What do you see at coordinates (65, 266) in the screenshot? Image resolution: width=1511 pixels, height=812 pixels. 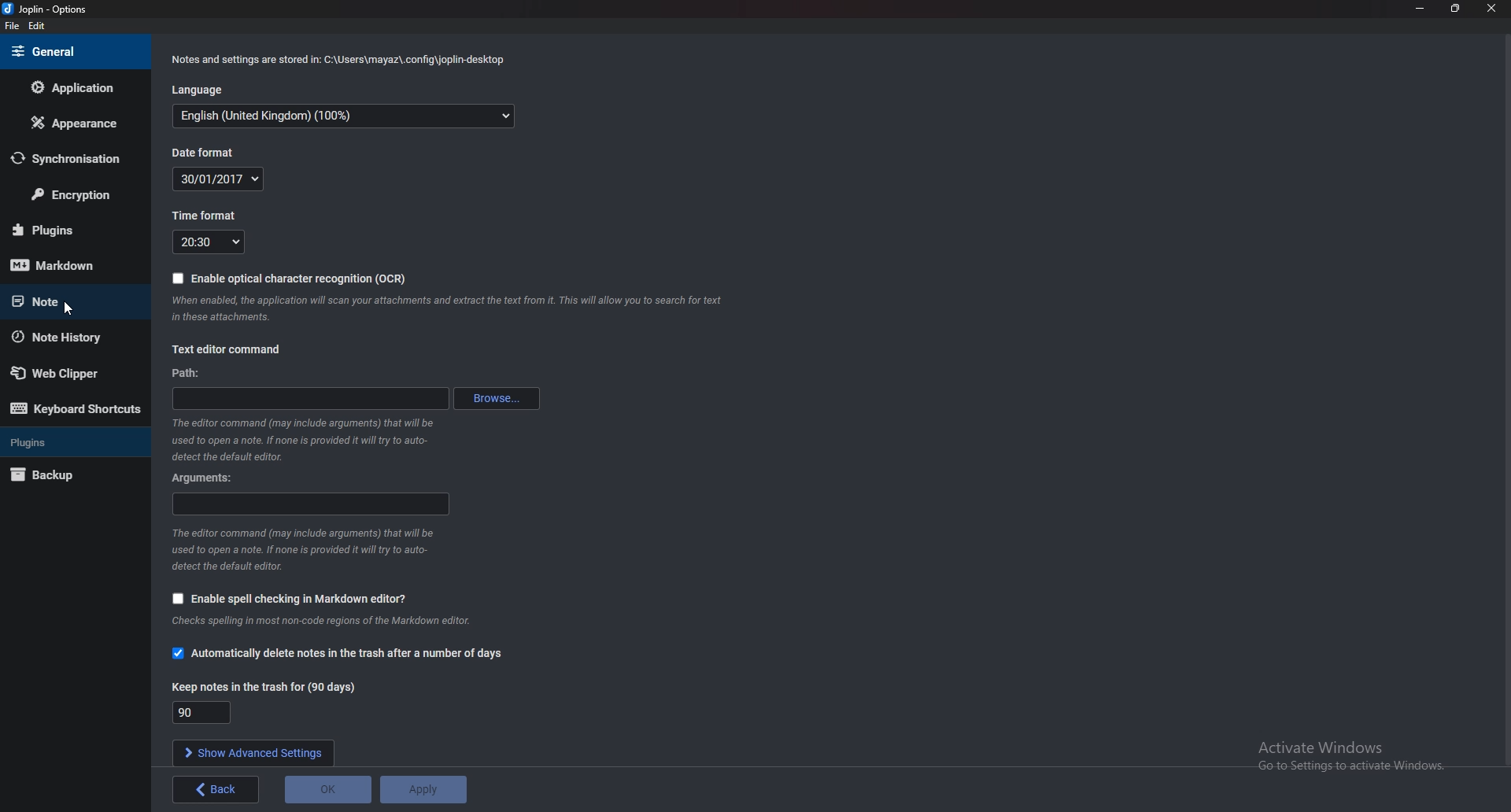 I see `mark down` at bounding box center [65, 266].